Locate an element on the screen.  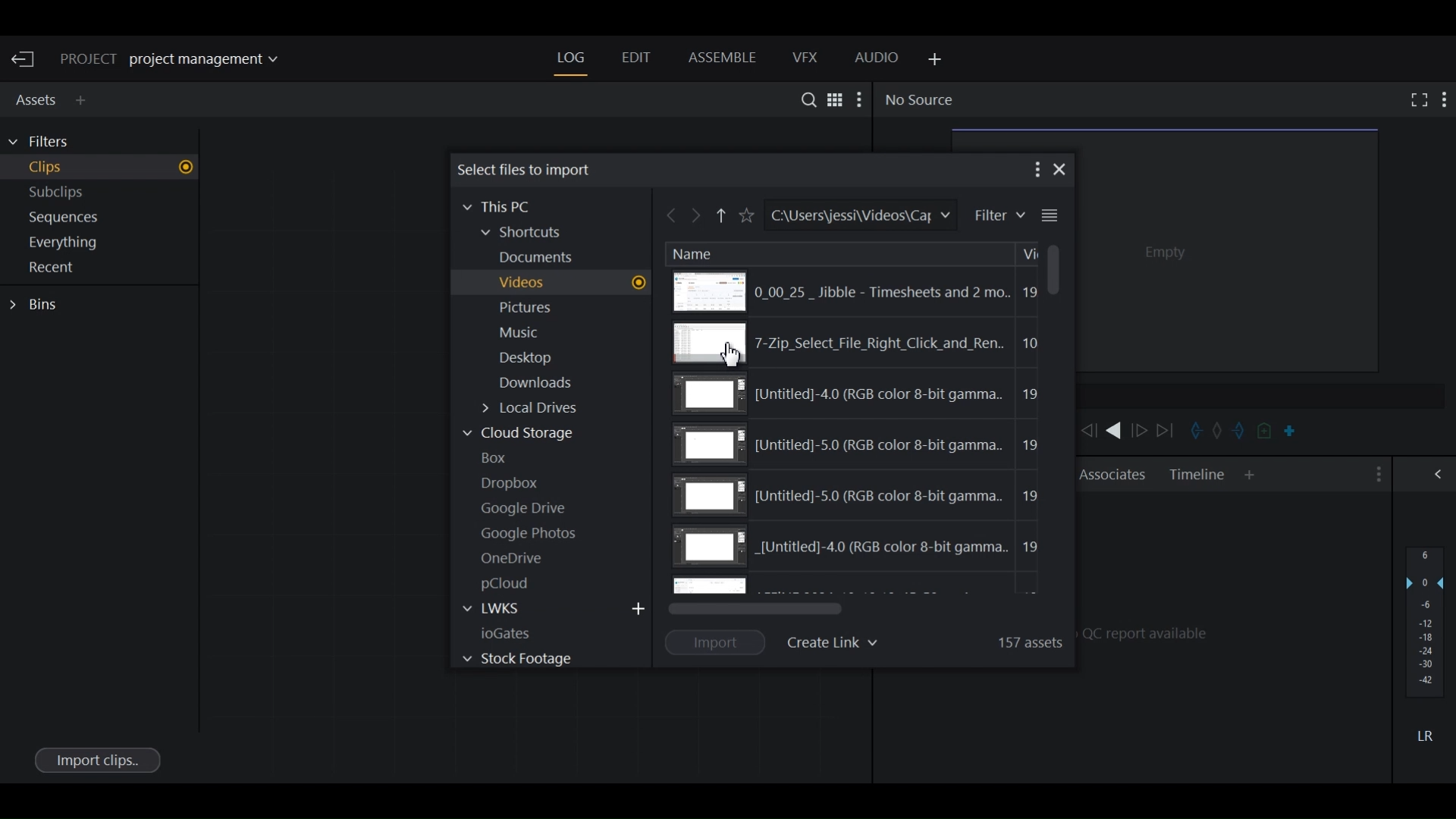
Desktop is located at coordinates (533, 359).